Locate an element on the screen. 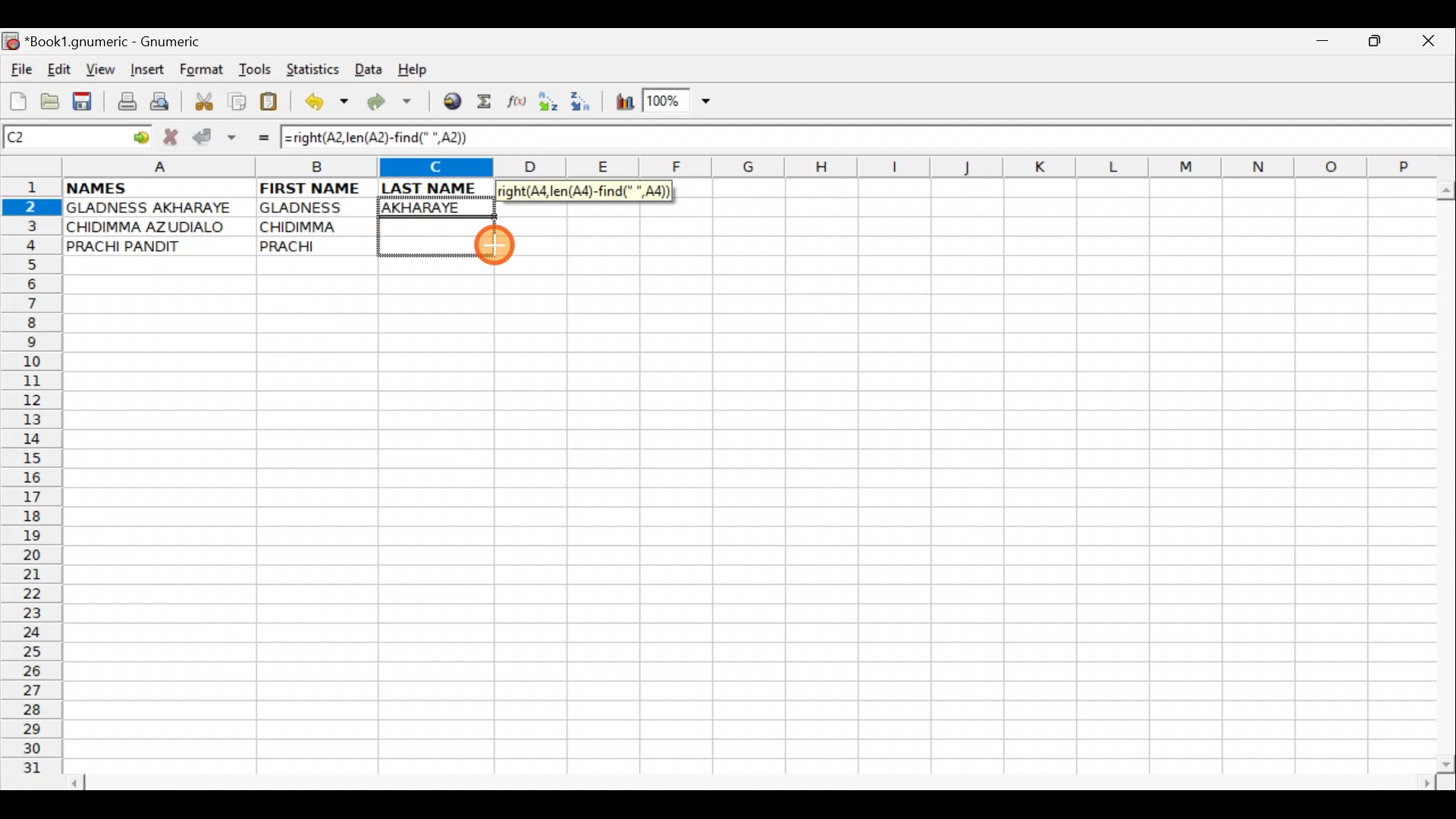 The height and width of the screenshot is (819, 1456). CHIDIMMA is located at coordinates (317, 225).